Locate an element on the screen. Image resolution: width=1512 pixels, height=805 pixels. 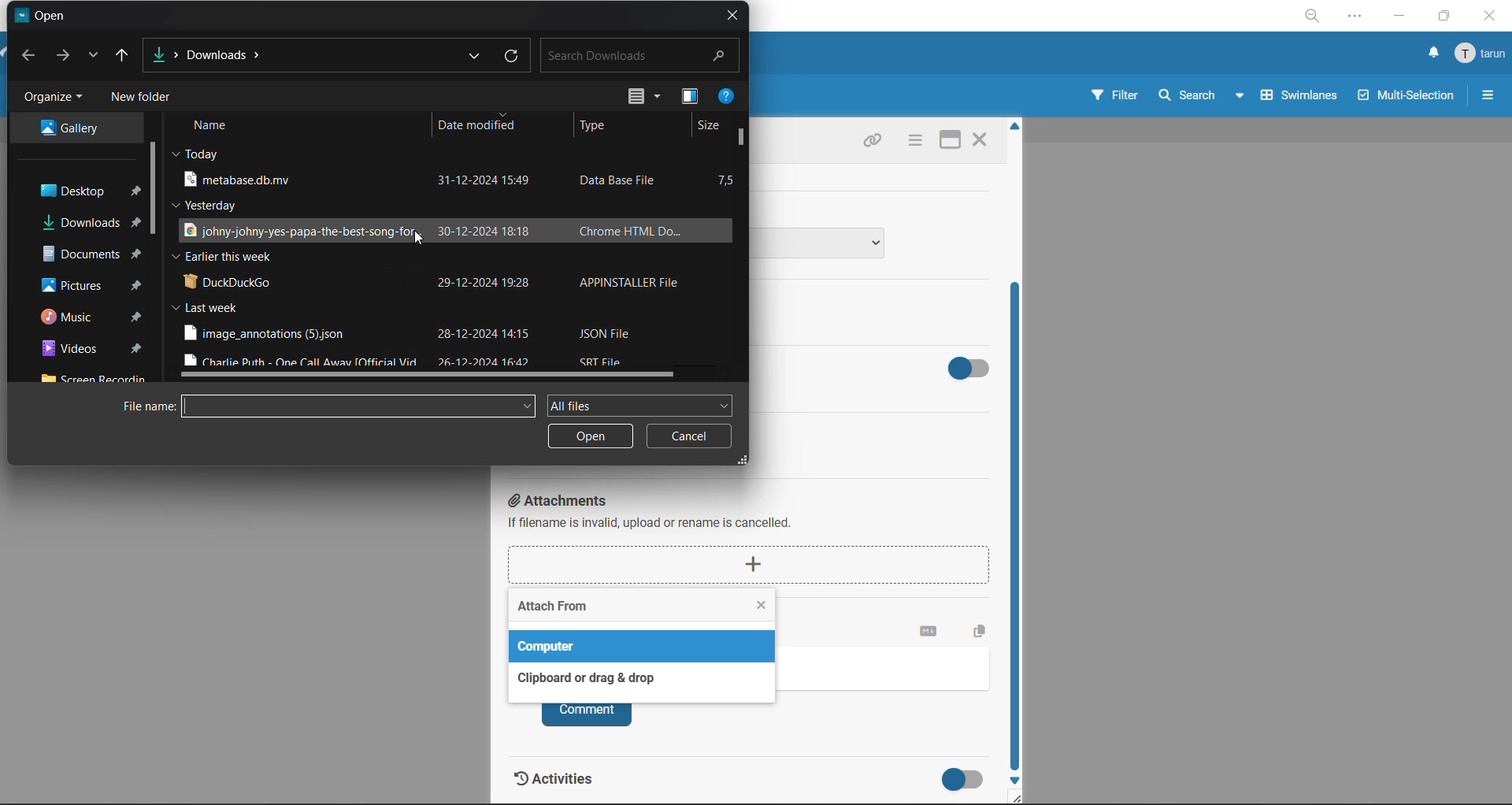
documents is located at coordinates (79, 255).